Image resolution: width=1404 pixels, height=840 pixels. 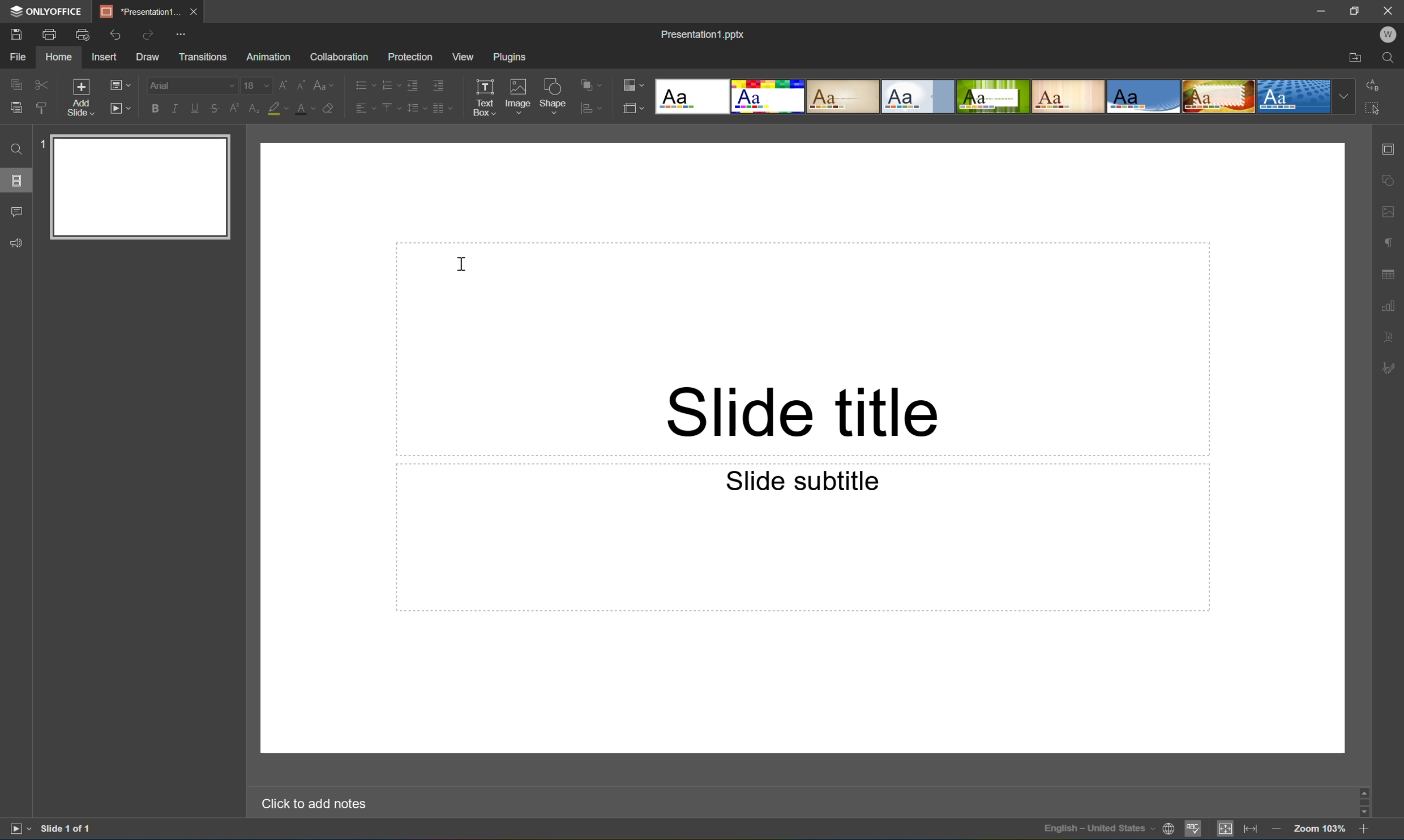 What do you see at coordinates (799, 479) in the screenshot?
I see `Slide subtitle` at bounding box center [799, 479].